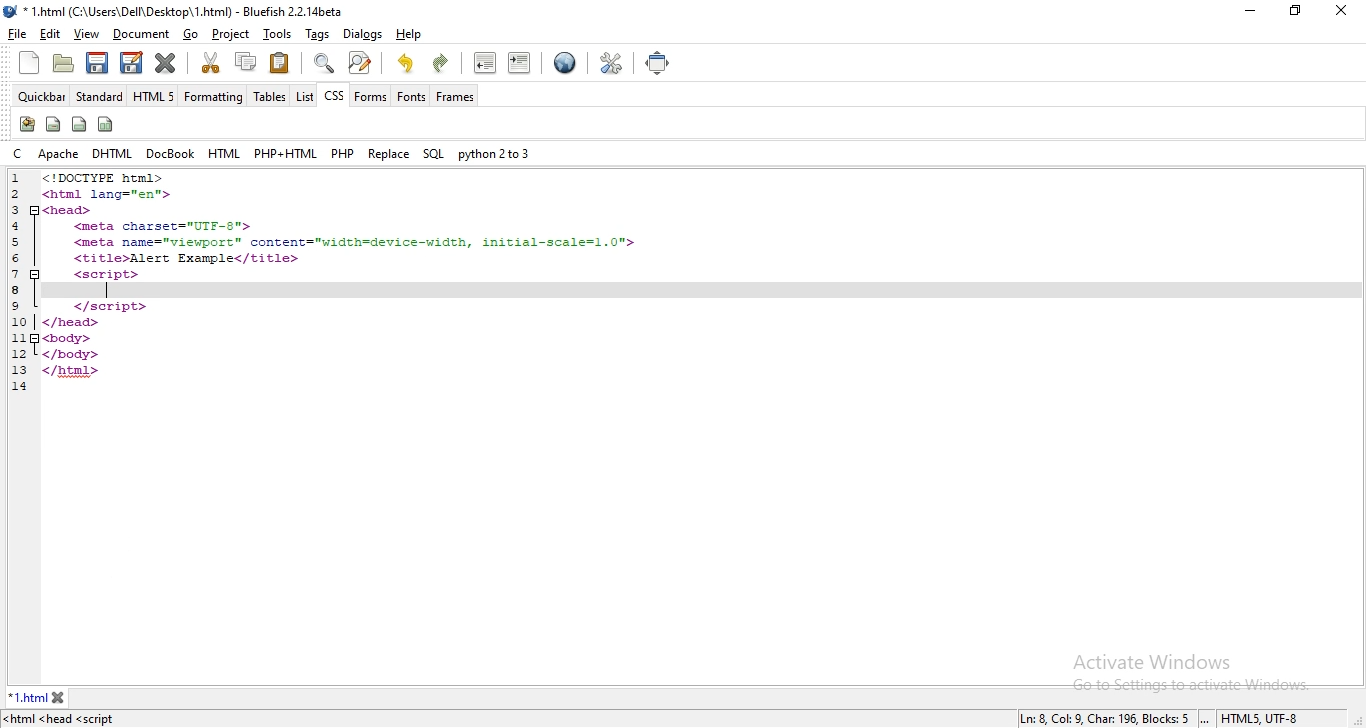  Describe the element at coordinates (114, 151) in the screenshot. I see `dhtml` at that location.